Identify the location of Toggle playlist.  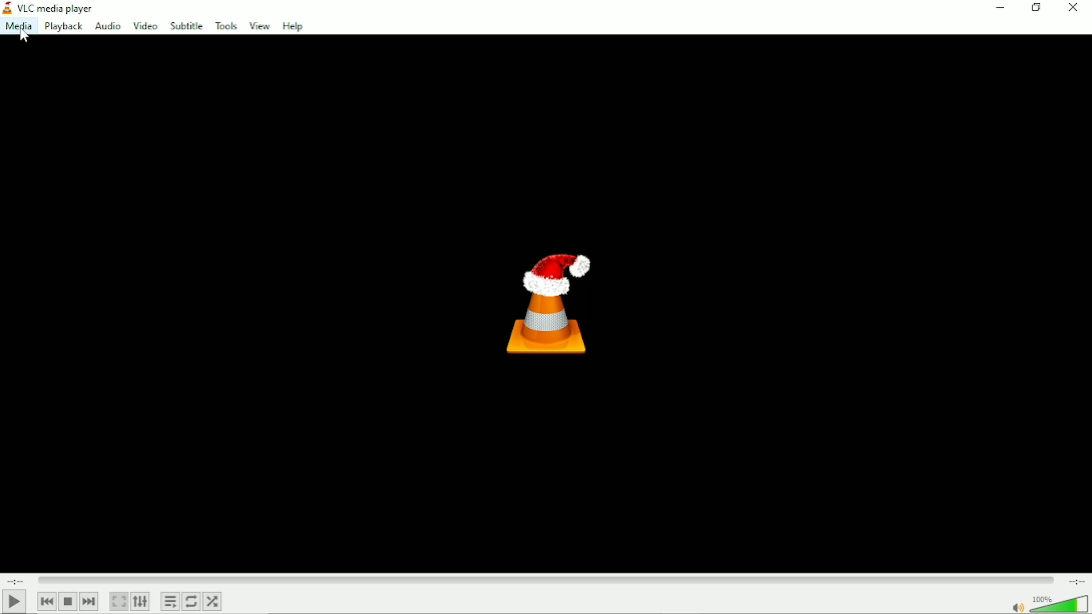
(168, 602).